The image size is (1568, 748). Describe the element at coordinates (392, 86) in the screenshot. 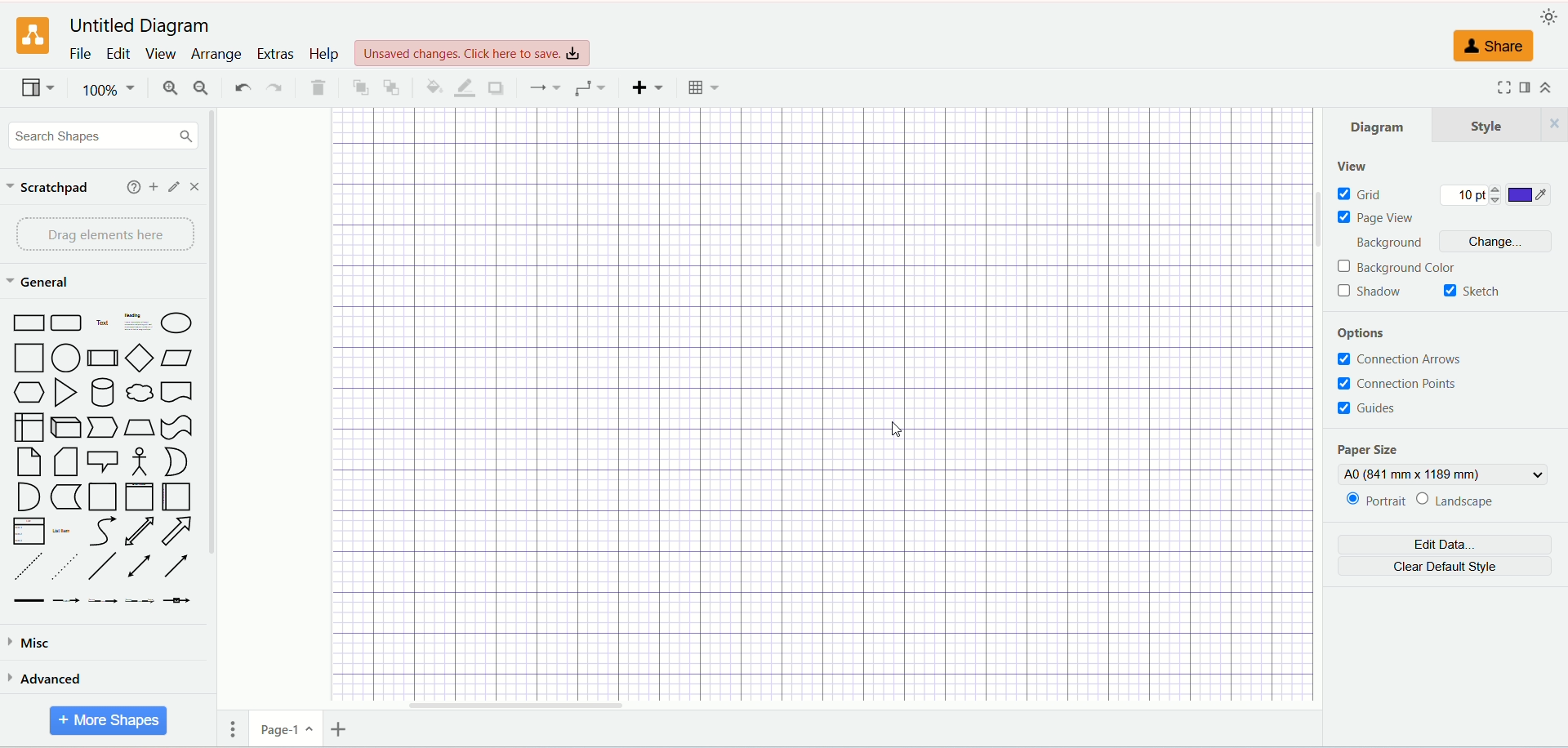

I see `to back` at that location.